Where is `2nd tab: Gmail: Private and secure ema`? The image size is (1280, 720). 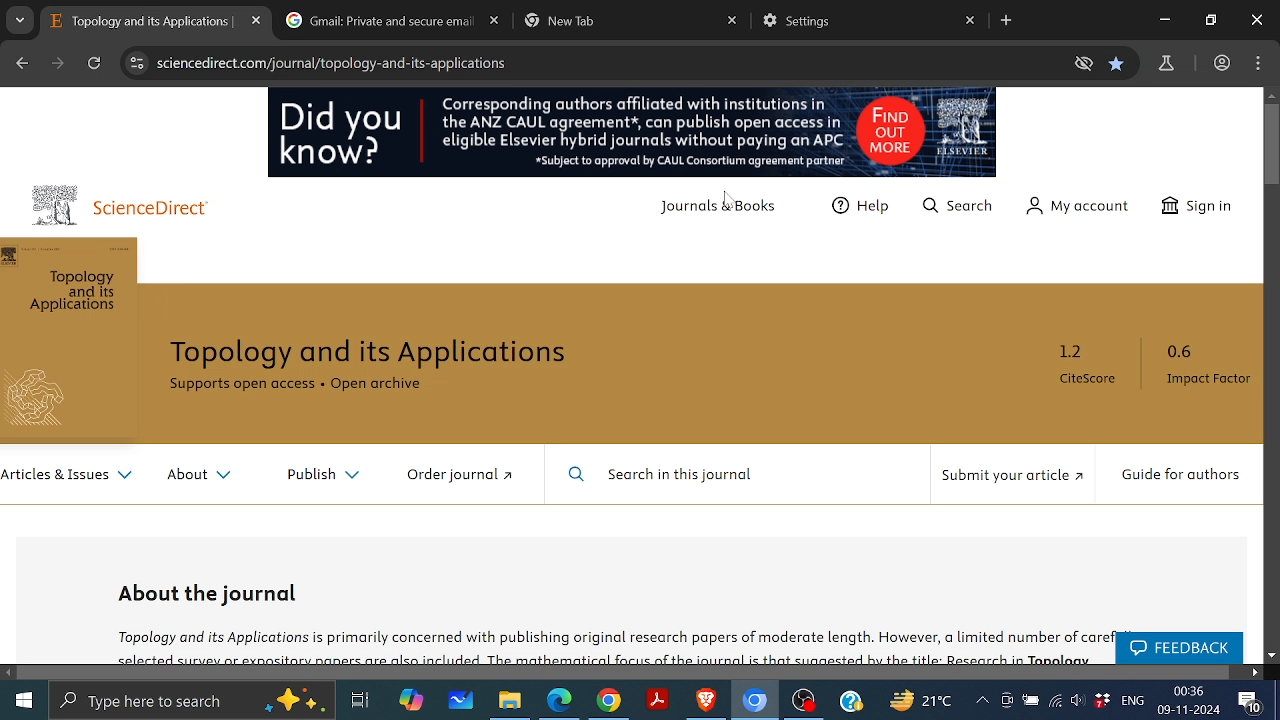 2nd tab: Gmail: Private and secure ema is located at coordinates (378, 20).